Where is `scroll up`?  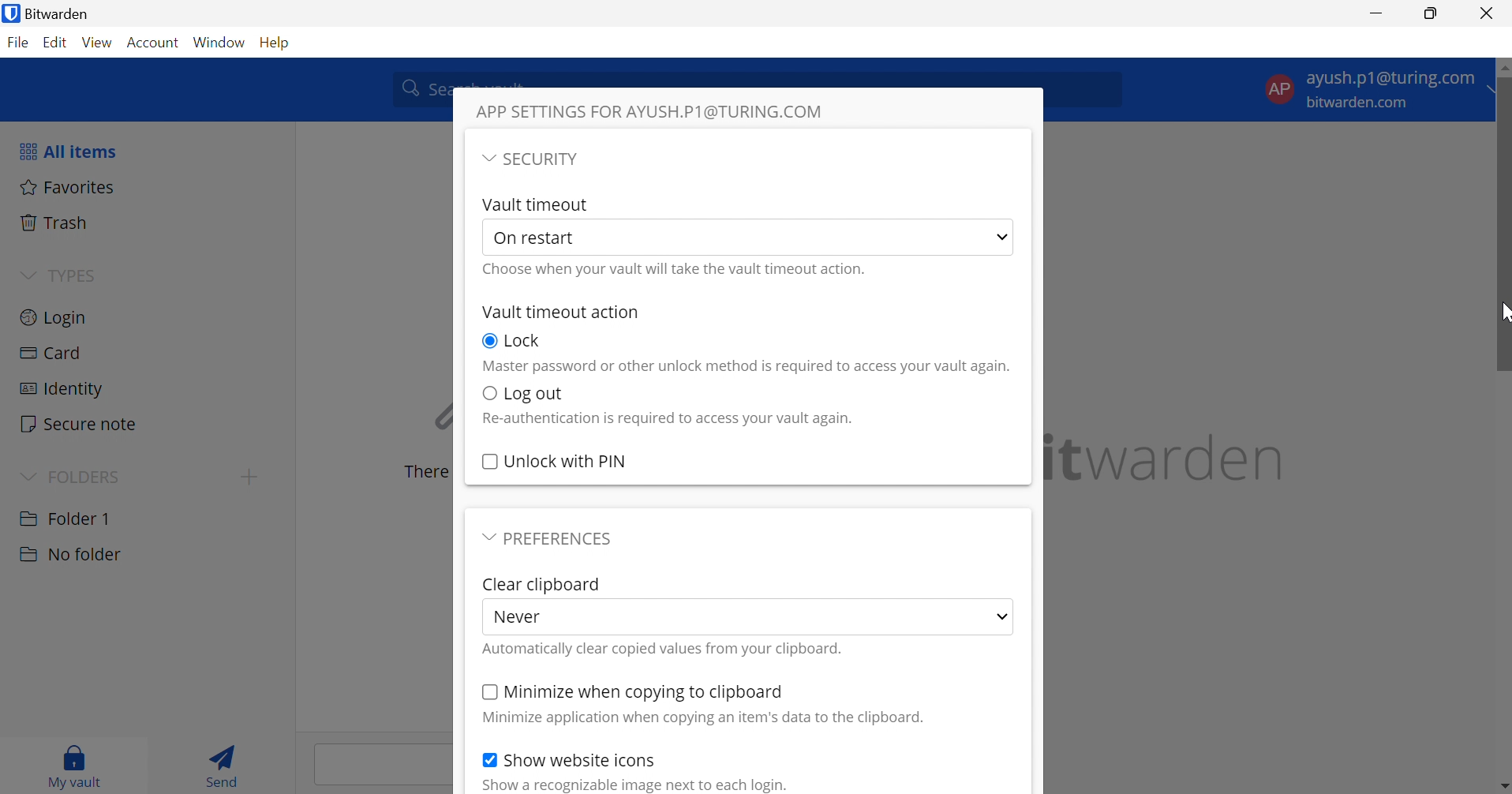
scroll up is located at coordinates (1496, 65).